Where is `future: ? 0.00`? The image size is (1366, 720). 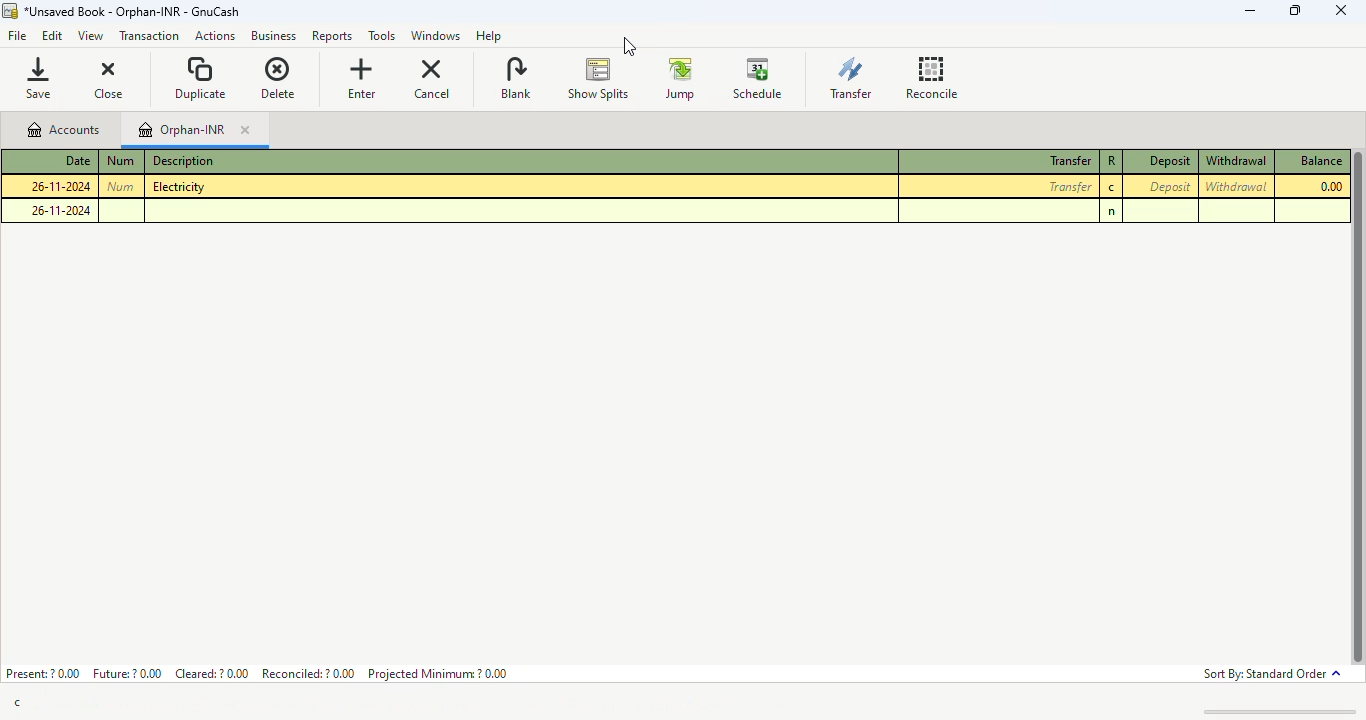
future: ? 0.00 is located at coordinates (128, 673).